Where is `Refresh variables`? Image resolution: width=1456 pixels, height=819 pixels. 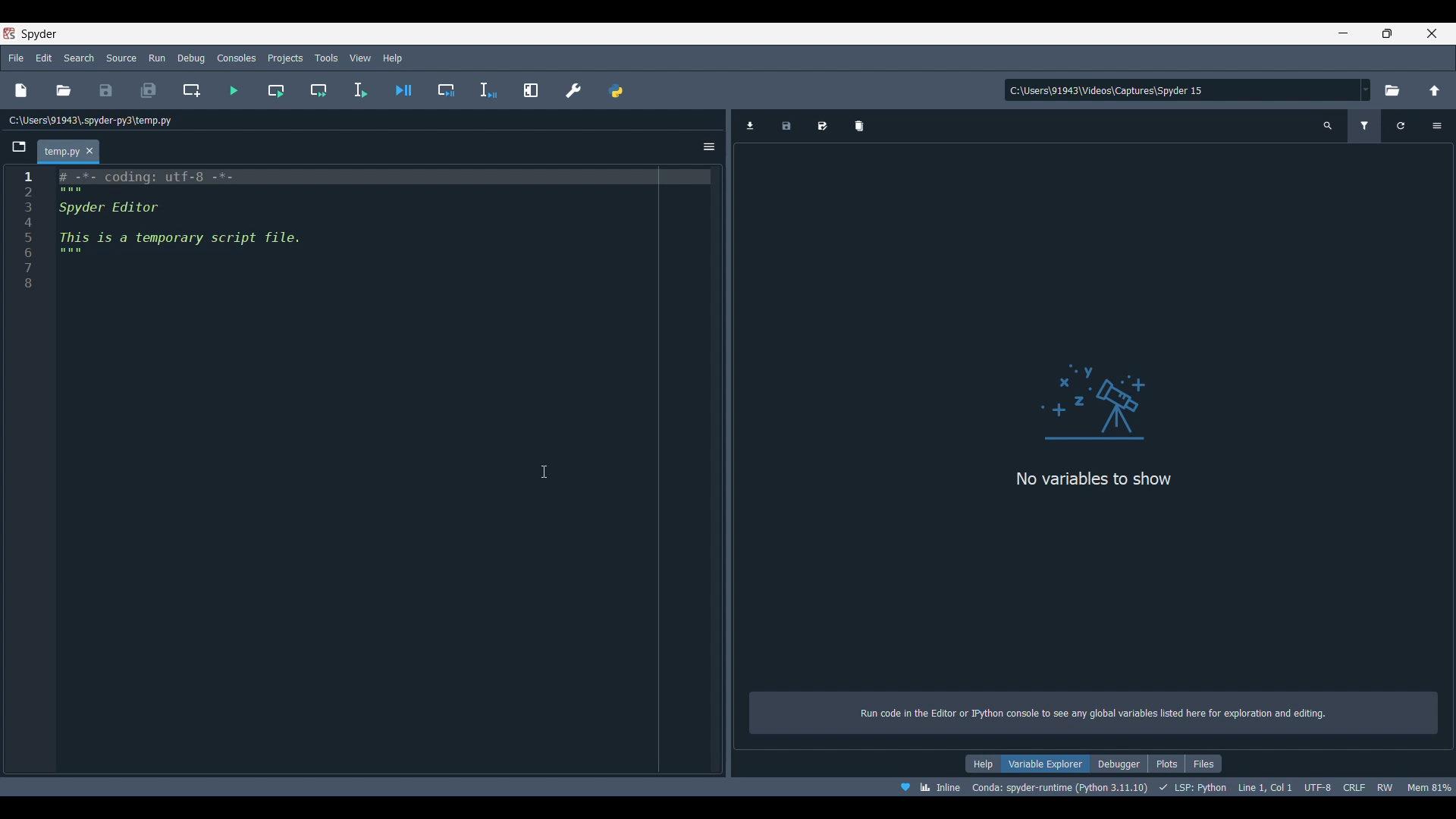 Refresh variables is located at coordinates (1402, 126).